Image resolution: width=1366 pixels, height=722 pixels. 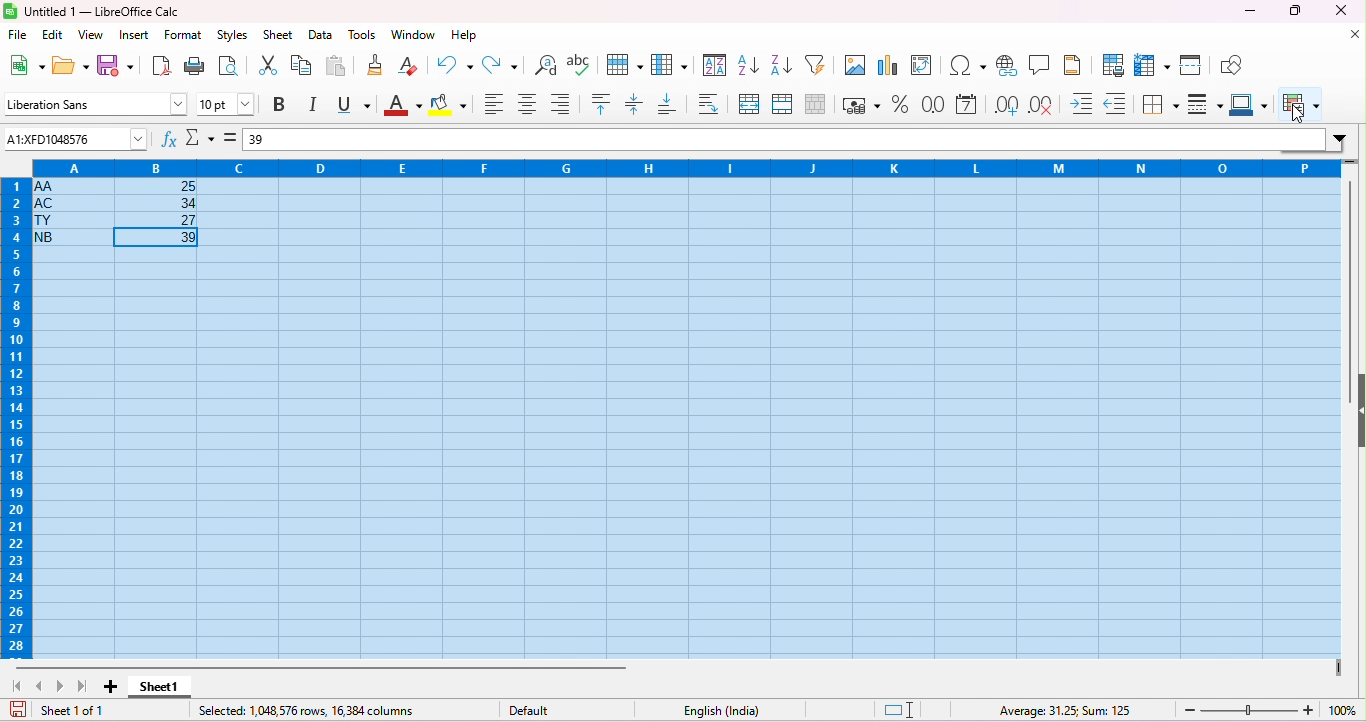 What do you see at coordinates (1066, 712) in the screenshot?
I see `formula` at bounding box center [1066, 712].